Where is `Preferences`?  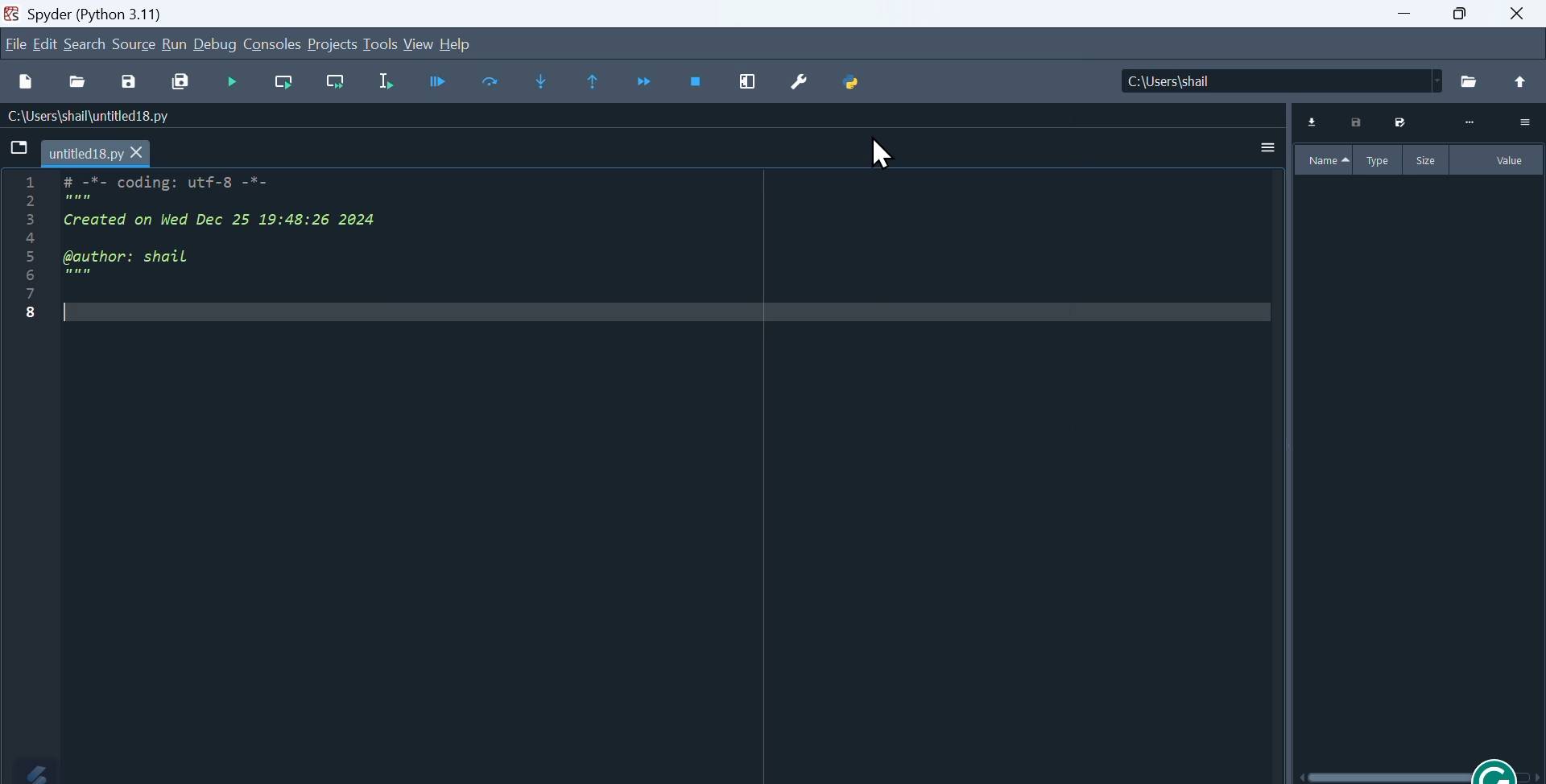
Preferences is located at coordinates (805, 85).